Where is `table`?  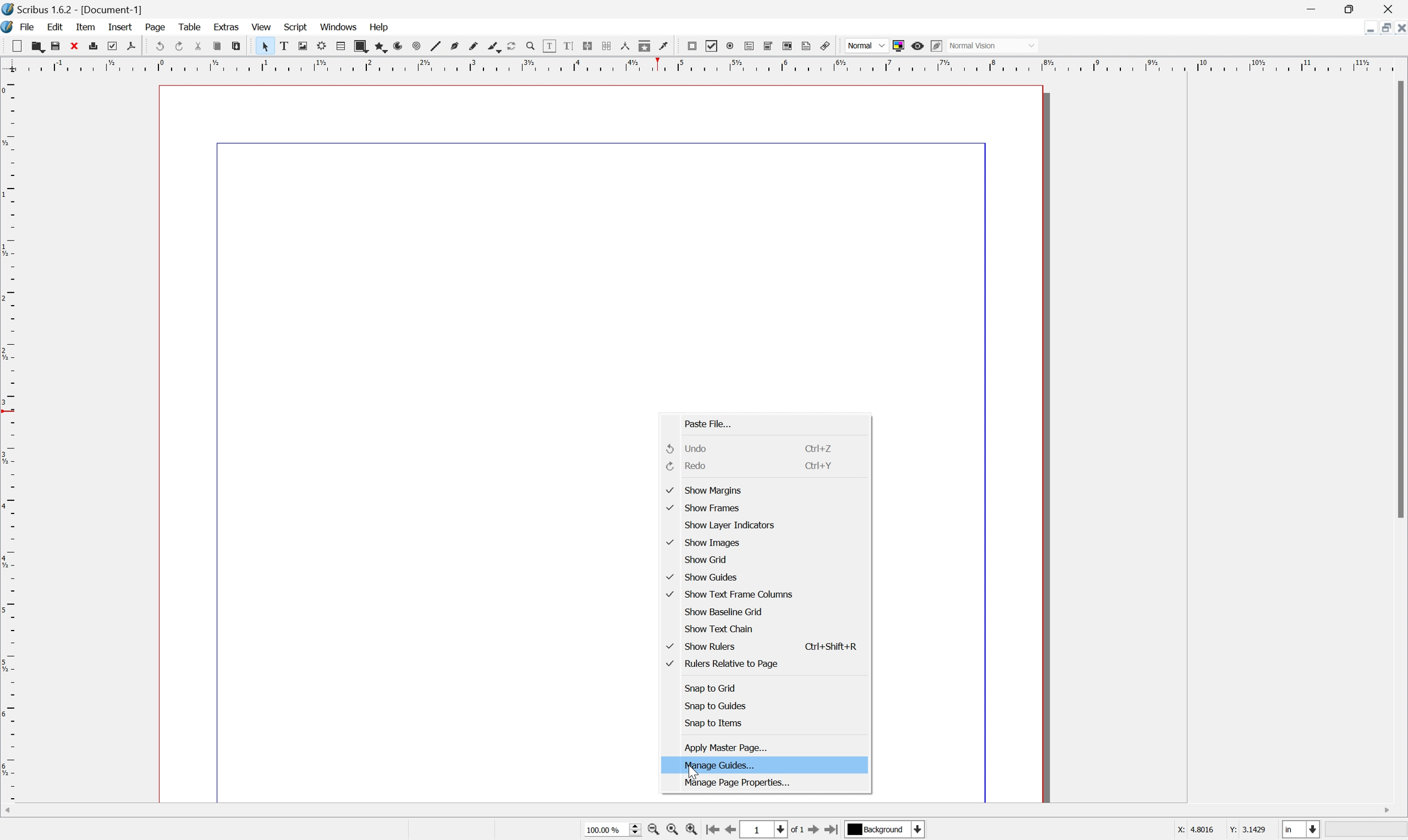 table is located at coordinates (187, 26).